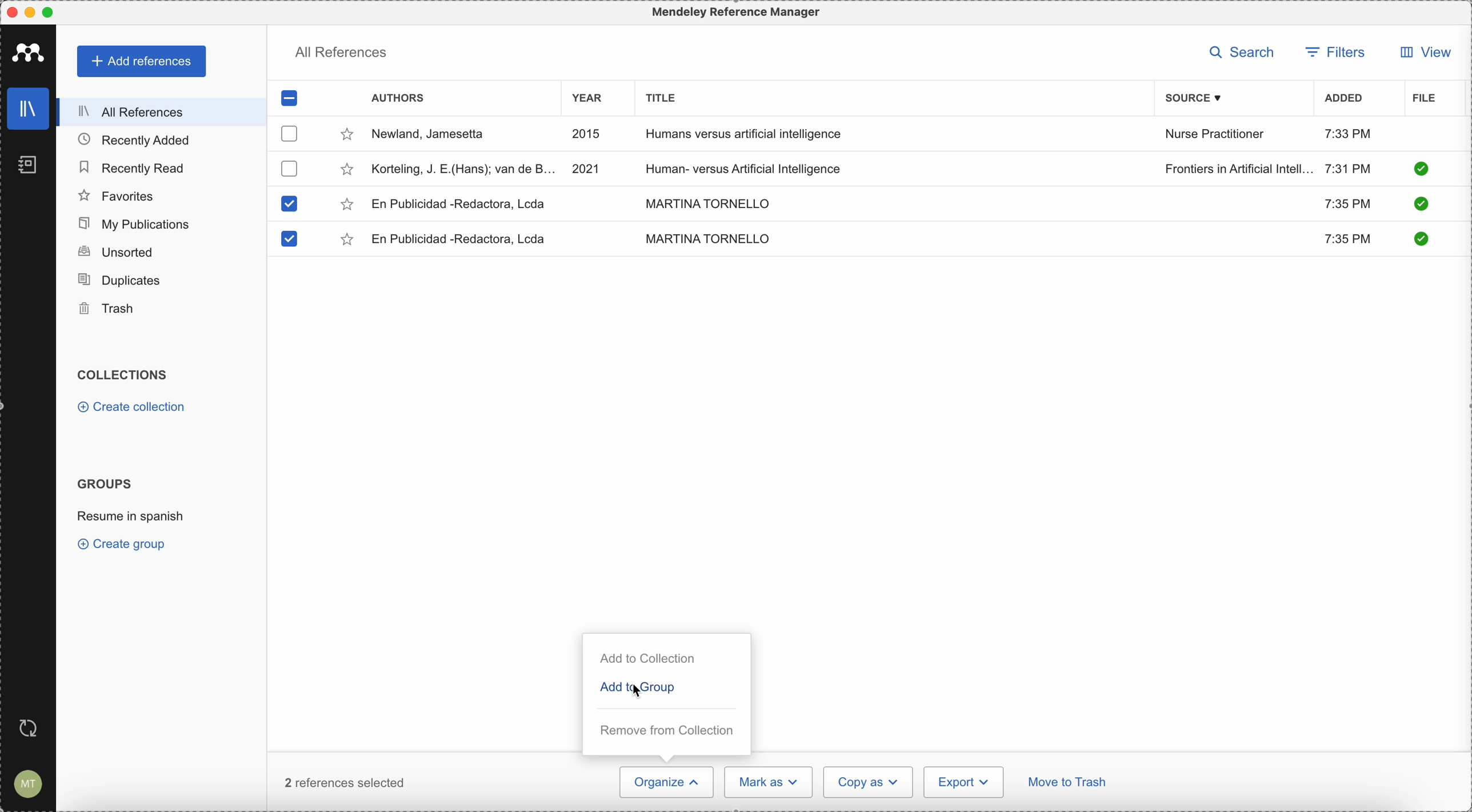 This screenshot has height=812, width=1472. Describe the element at coordinates (109, 309) in the screenshot. I see `trash` at that location.